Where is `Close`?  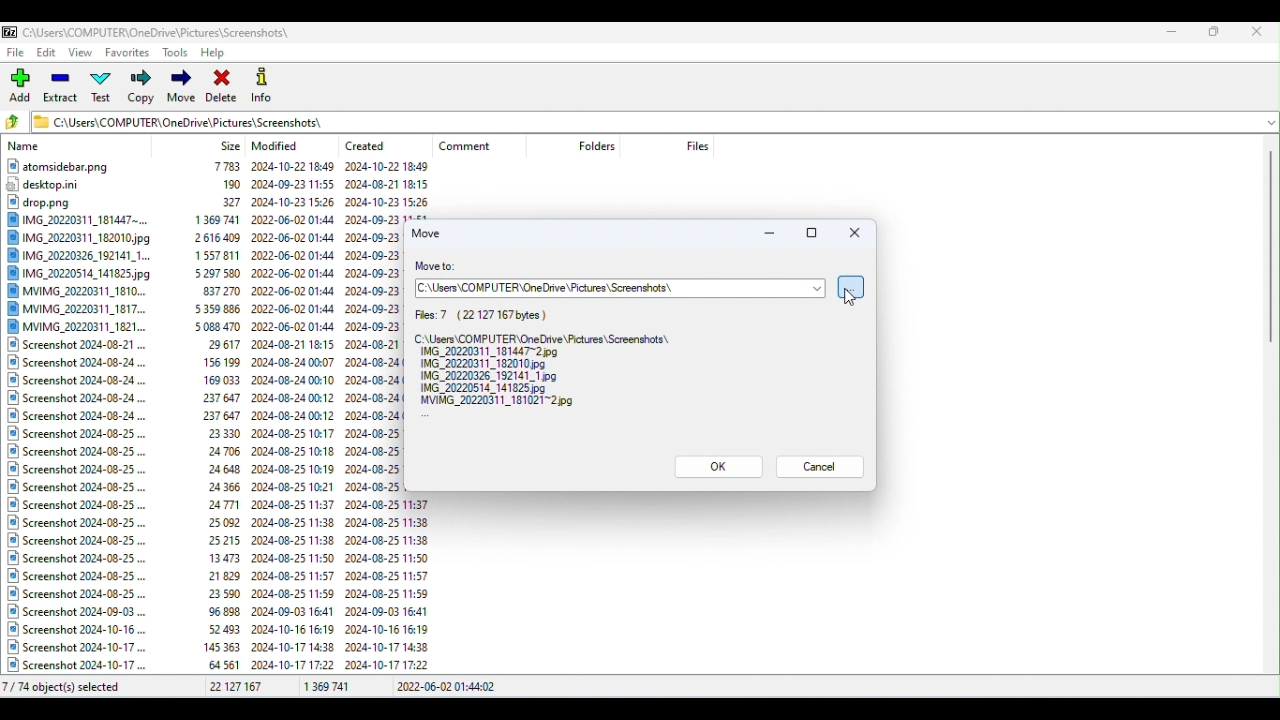 Close is located at coordinates (852, 233).